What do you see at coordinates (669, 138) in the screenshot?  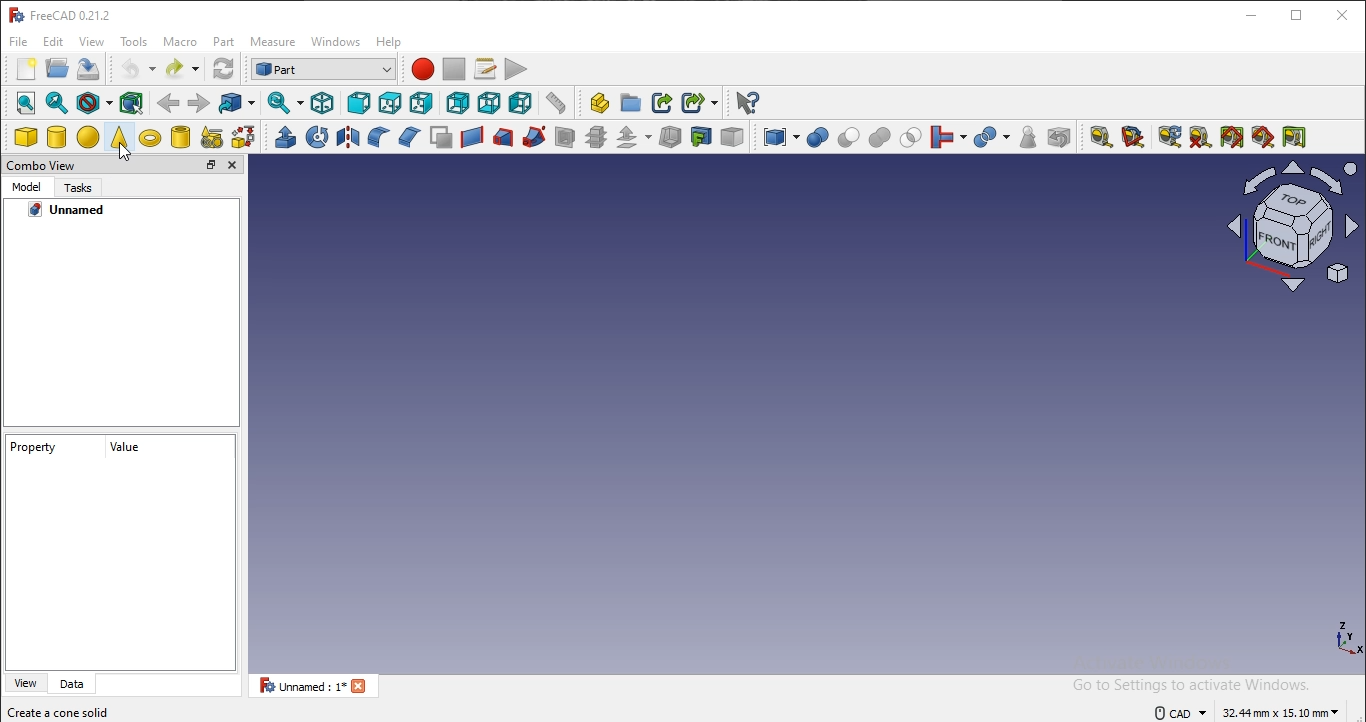 I see `thickness` at bounding box center [669, 138].